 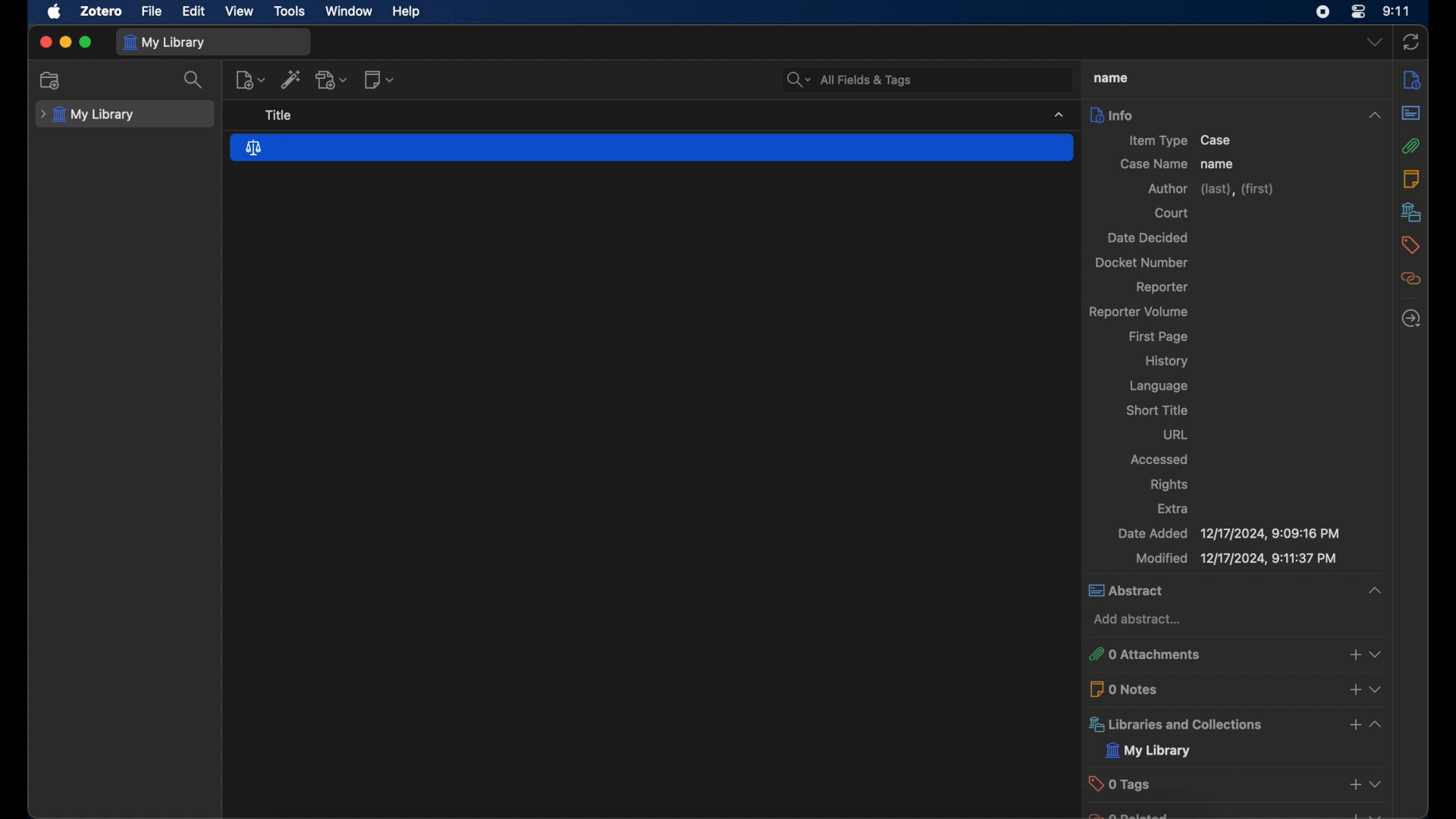 I want to click on related, so click(x=1412, y=278).